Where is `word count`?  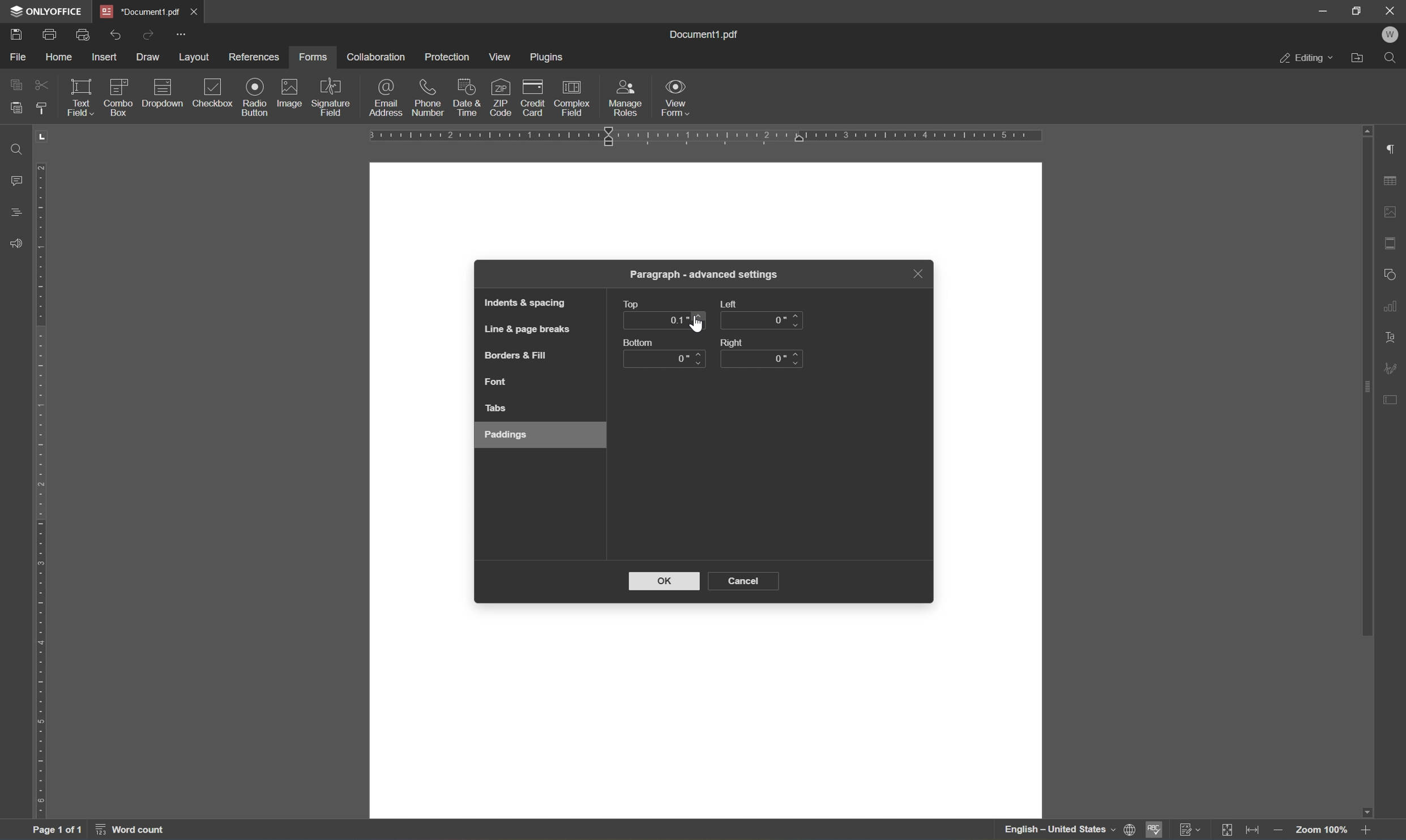 word count is located at coordinates (140, 831).